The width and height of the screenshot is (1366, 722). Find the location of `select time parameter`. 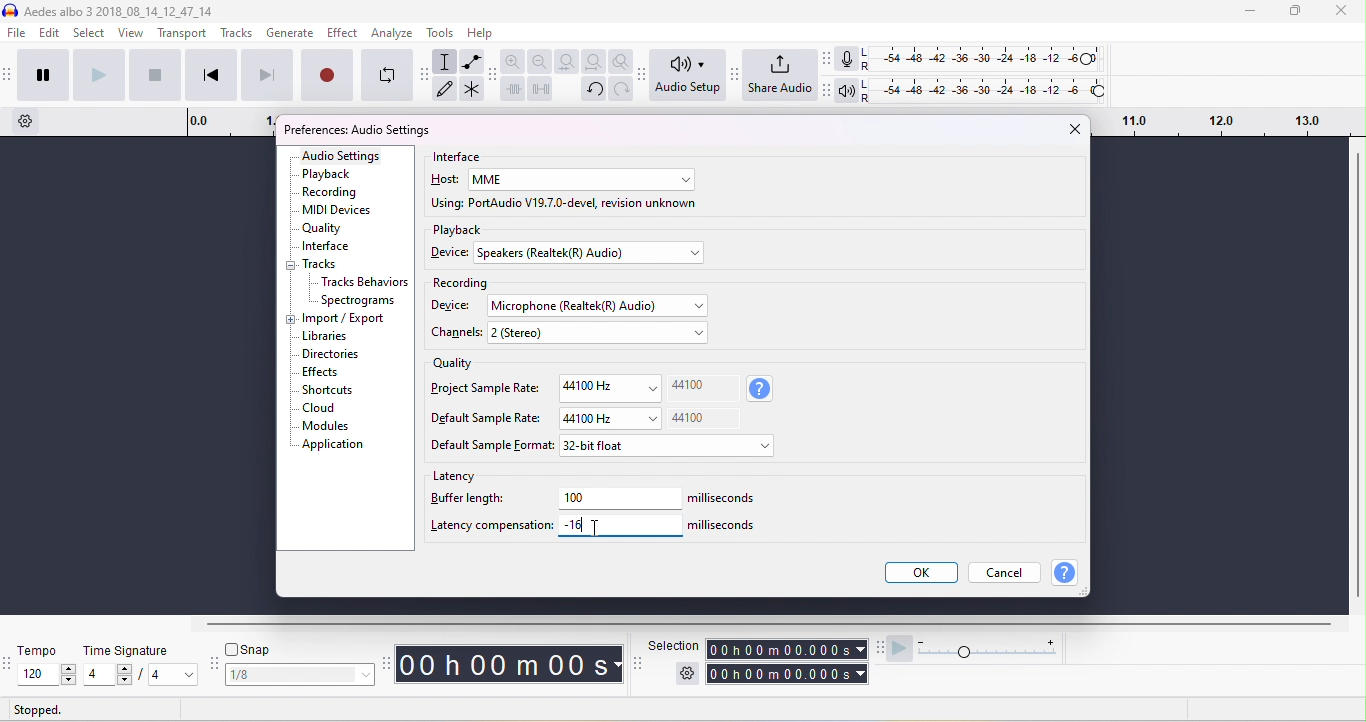

select time parameter is located at coordinates (861, 674).